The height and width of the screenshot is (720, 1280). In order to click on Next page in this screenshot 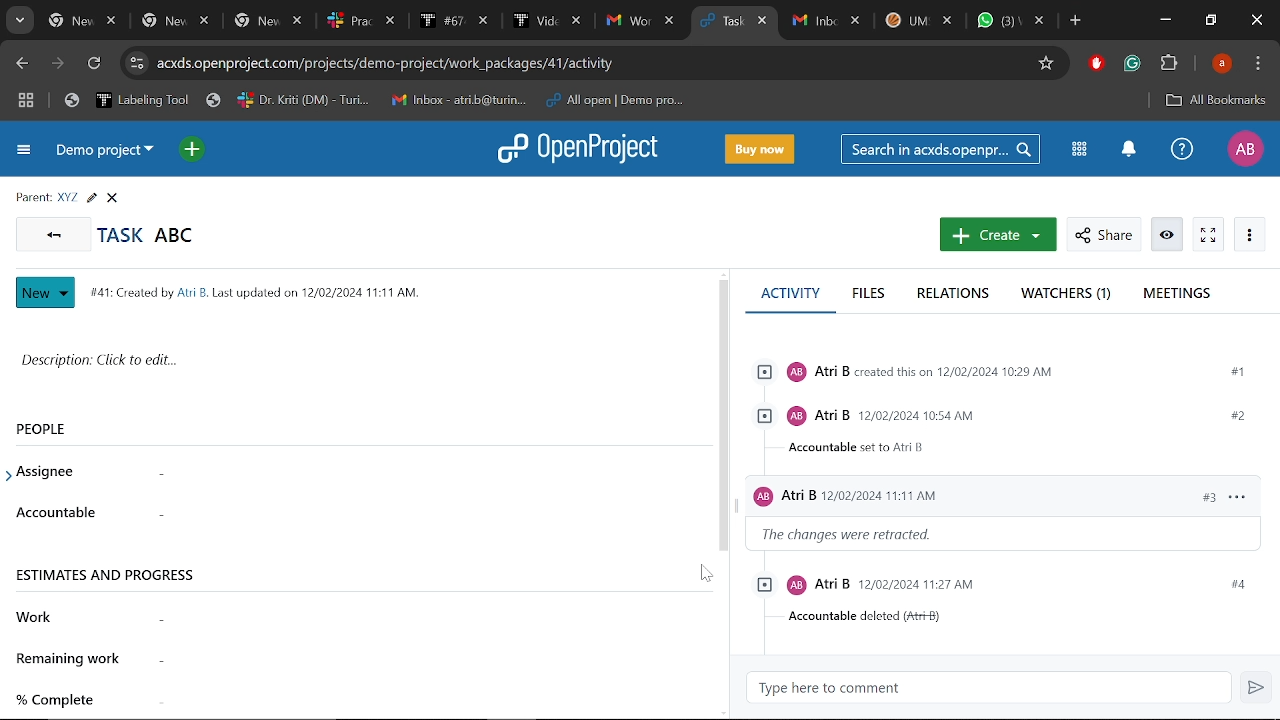, I will do `click(58, 65)`.